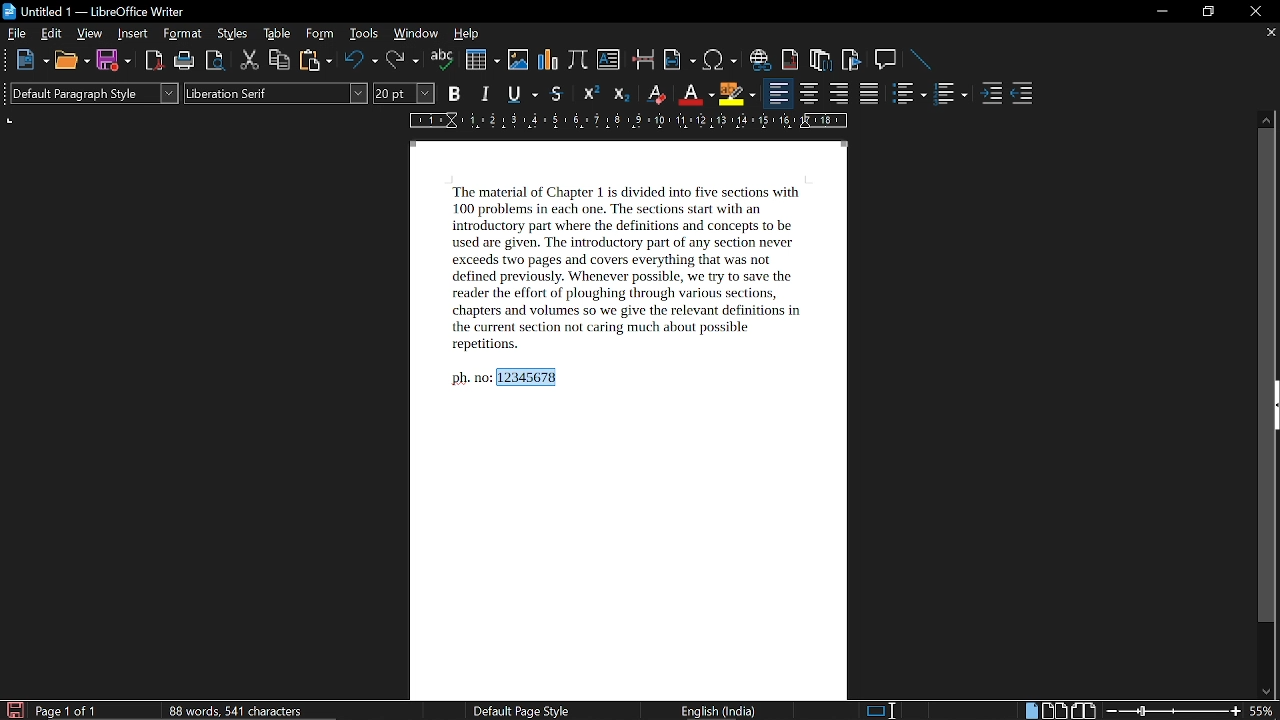  I want to click on line, so click(920, 59).